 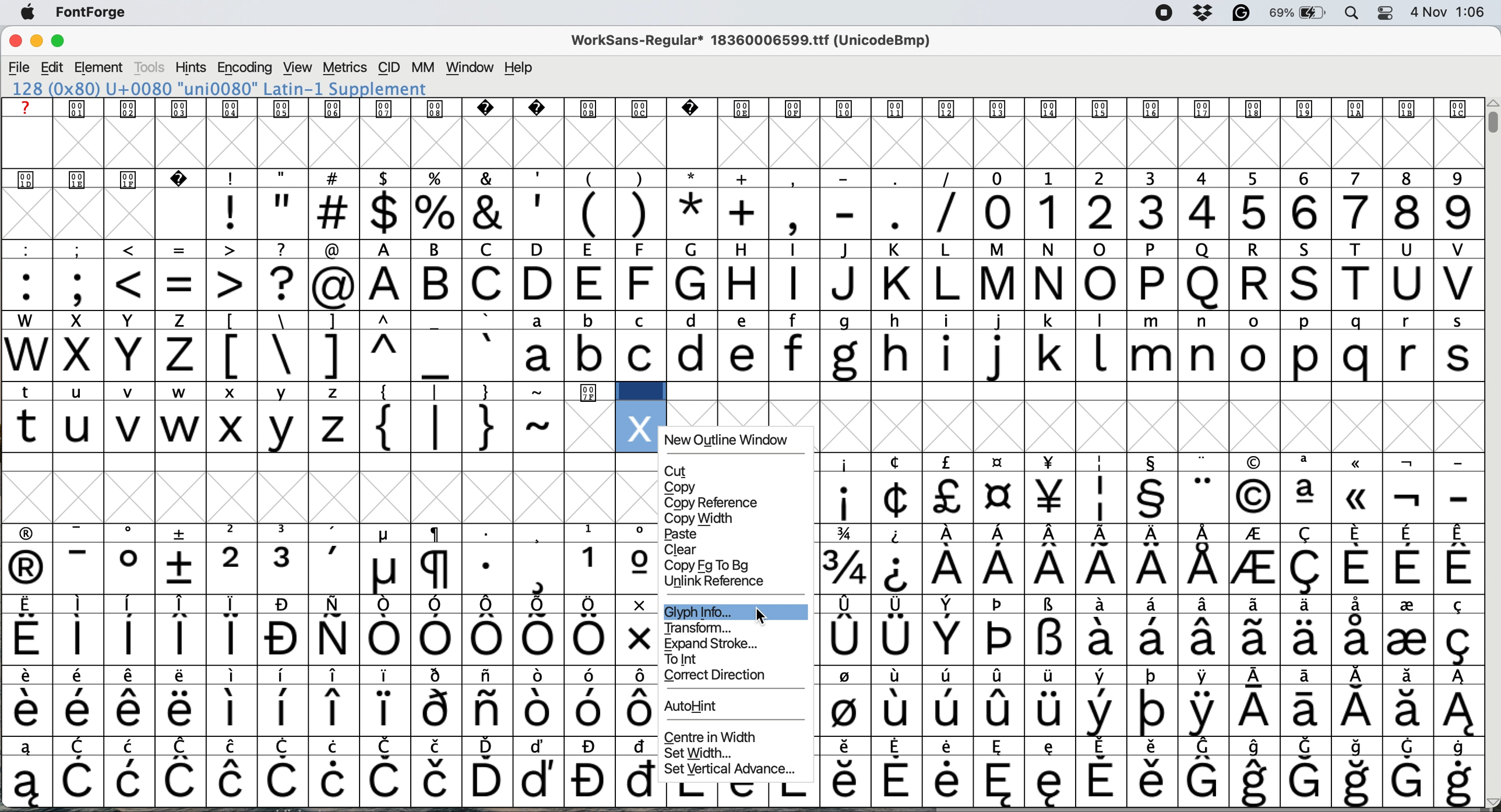 What do you see at coordinates (325, 495) in the screenshot?
I see `glyph grid` at bounding box center [325, 495].